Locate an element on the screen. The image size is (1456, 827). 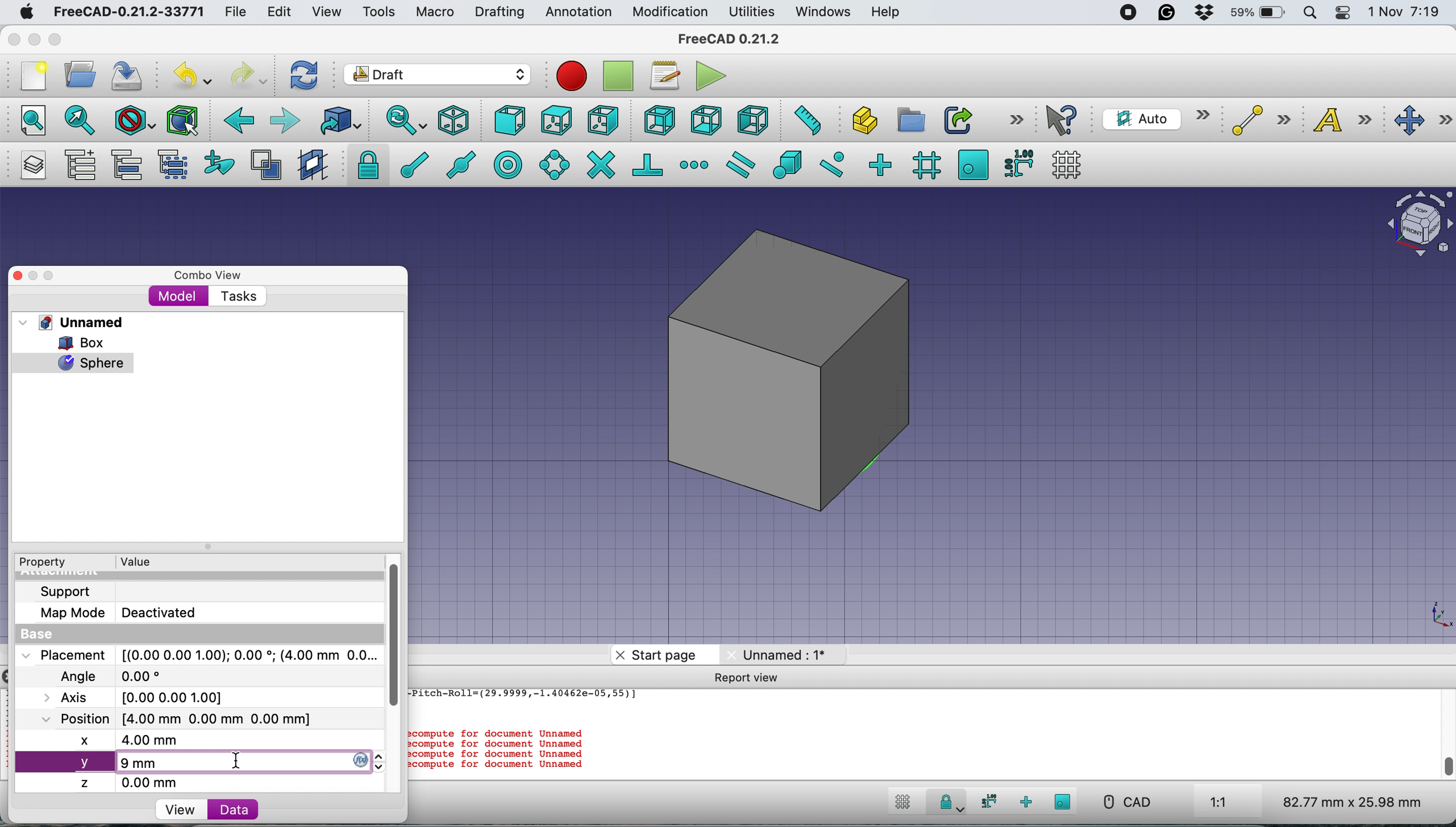
drafting is located at coordinates (499, 13).